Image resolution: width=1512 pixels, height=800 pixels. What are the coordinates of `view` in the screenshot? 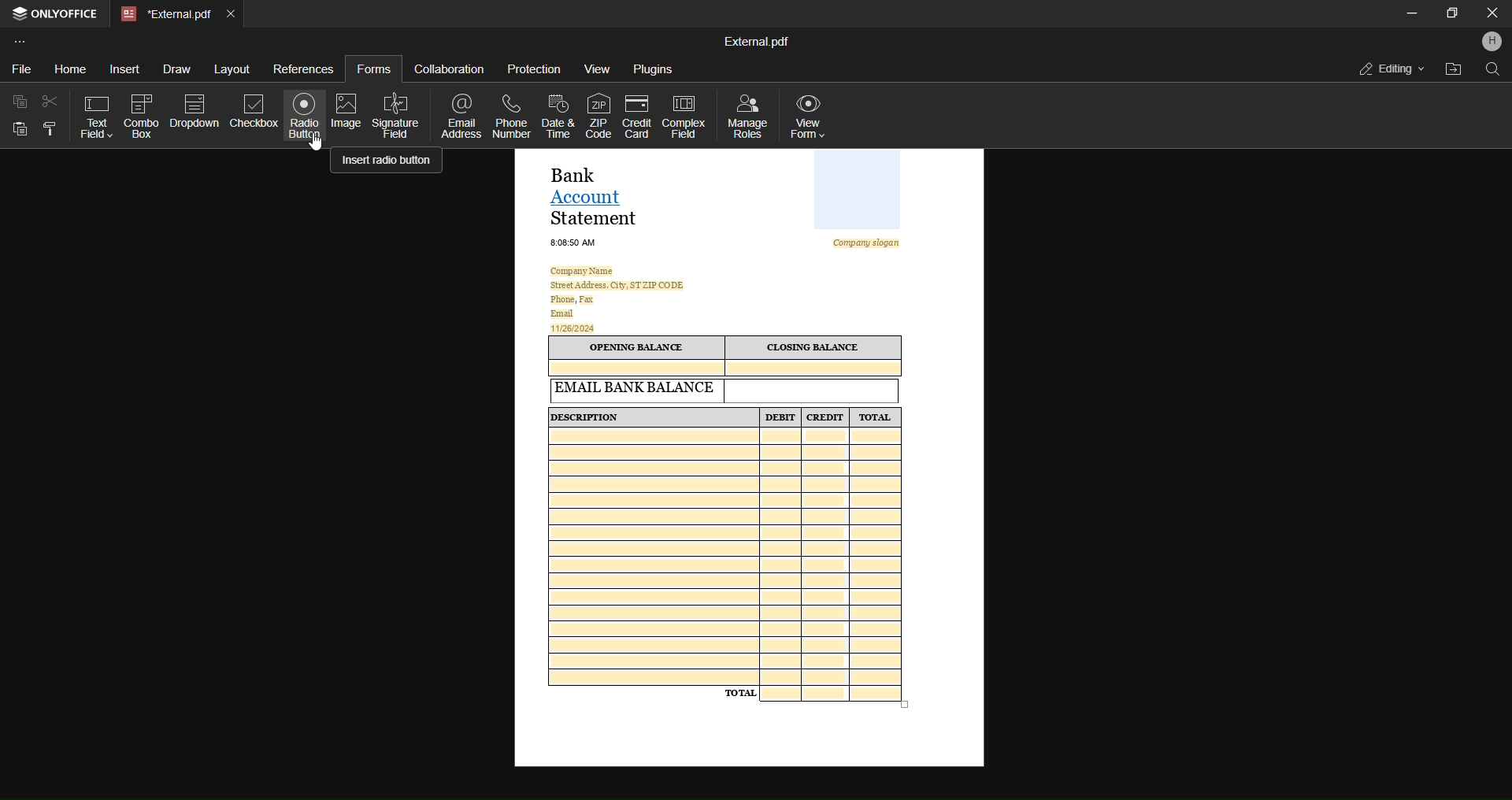 It's located at (595, 69).